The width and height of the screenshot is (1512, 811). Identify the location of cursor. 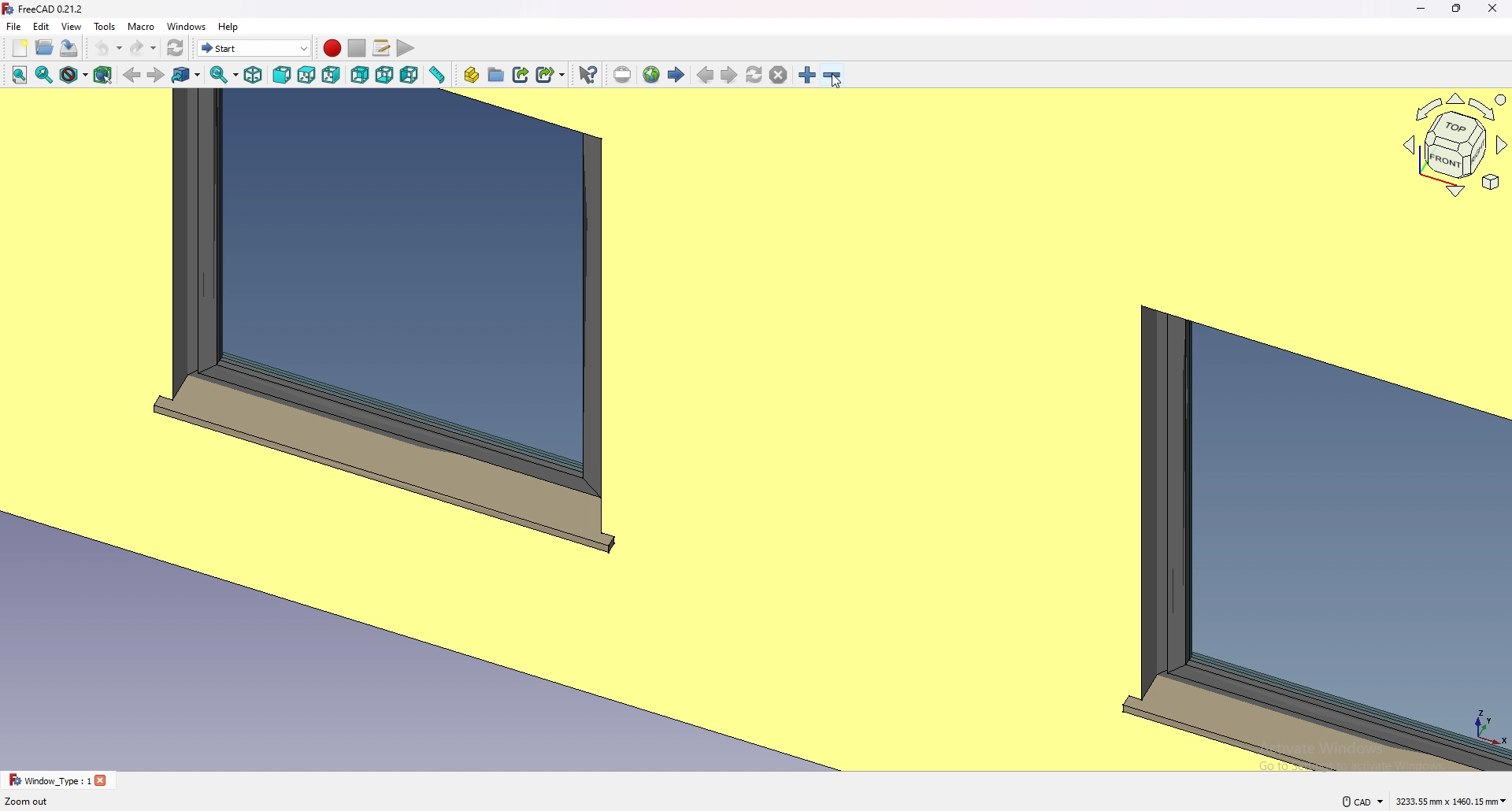
(837, 81).